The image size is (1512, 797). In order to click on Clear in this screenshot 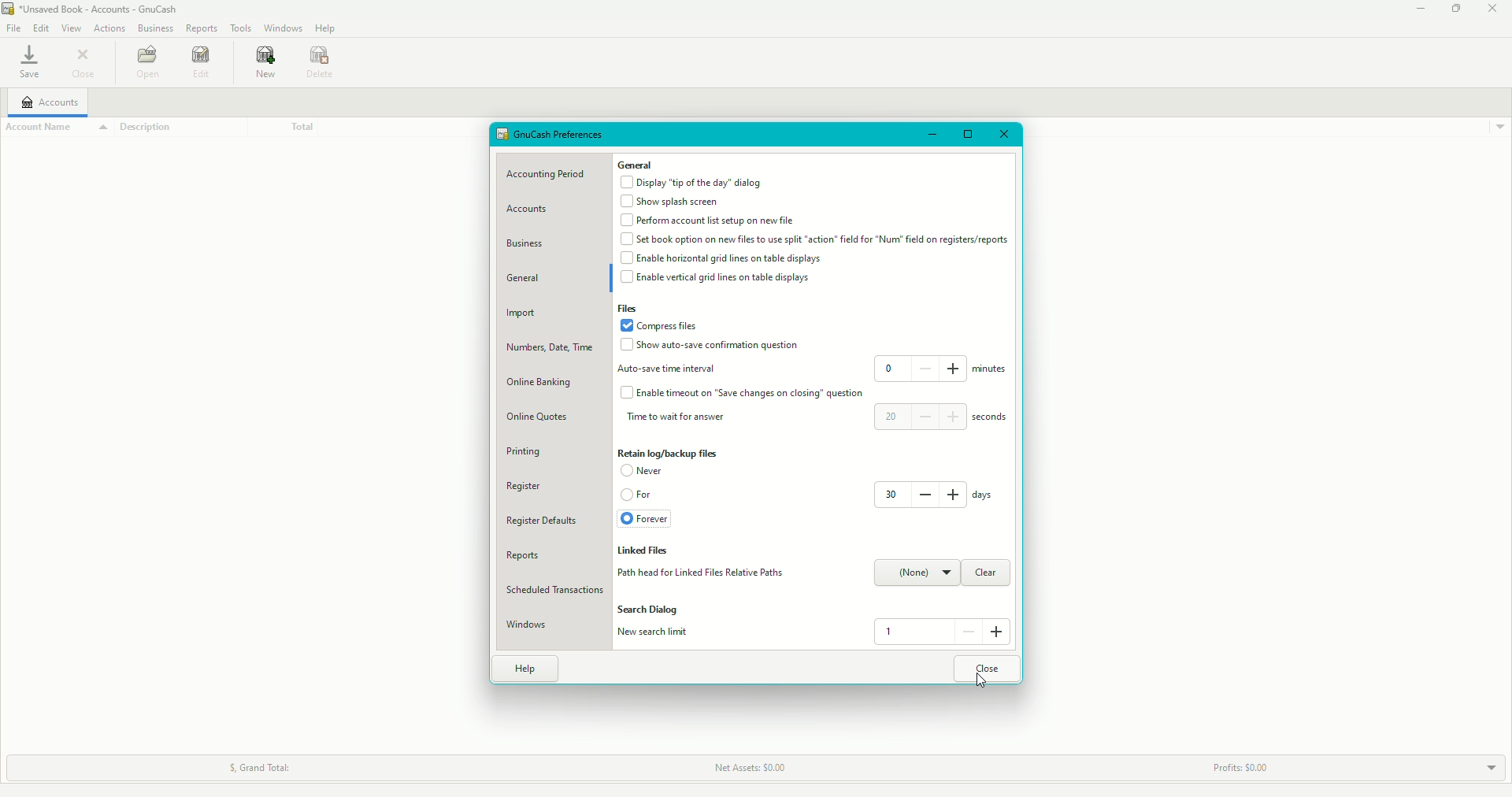, I will do `click(985, 573)`.